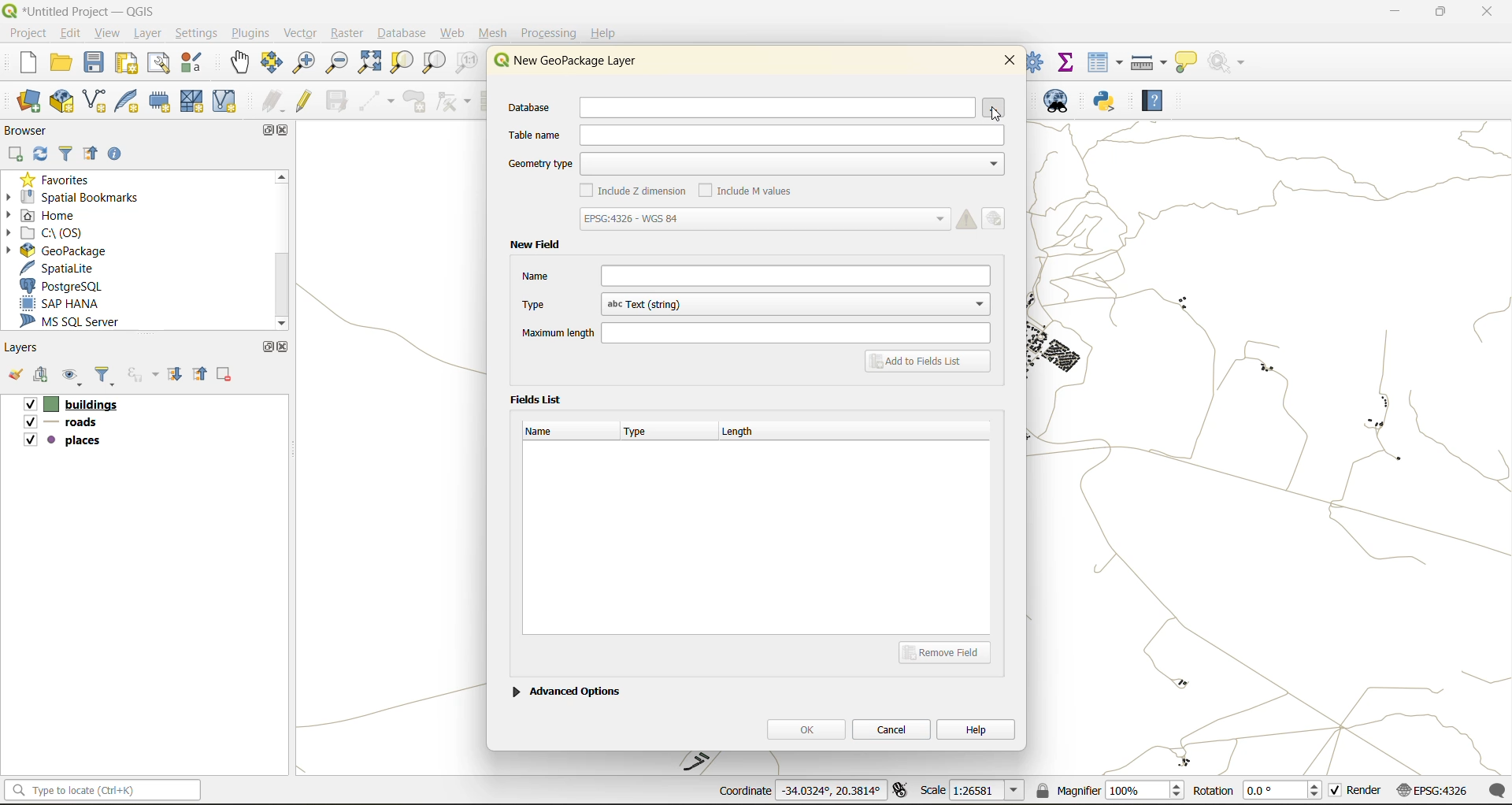 Image resolution: width=1512 pixels, height=805 pixels. Describe the element at coordinates (42, 155) in the screenshot. I see `refresh` at that location.